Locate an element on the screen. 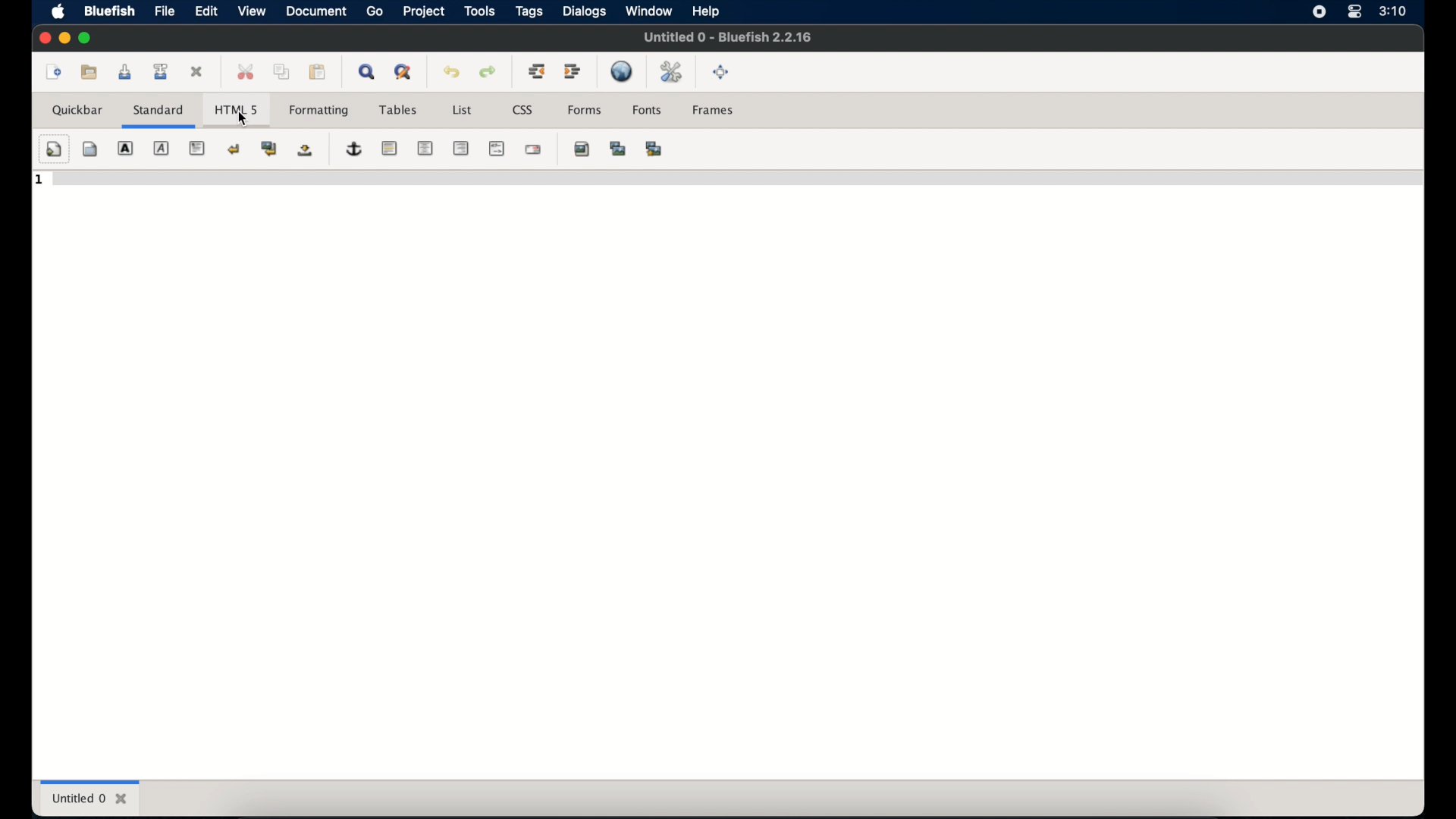 The height and width of the screenshot is (819, 1456). maximize is located at coordinates (86, 38).